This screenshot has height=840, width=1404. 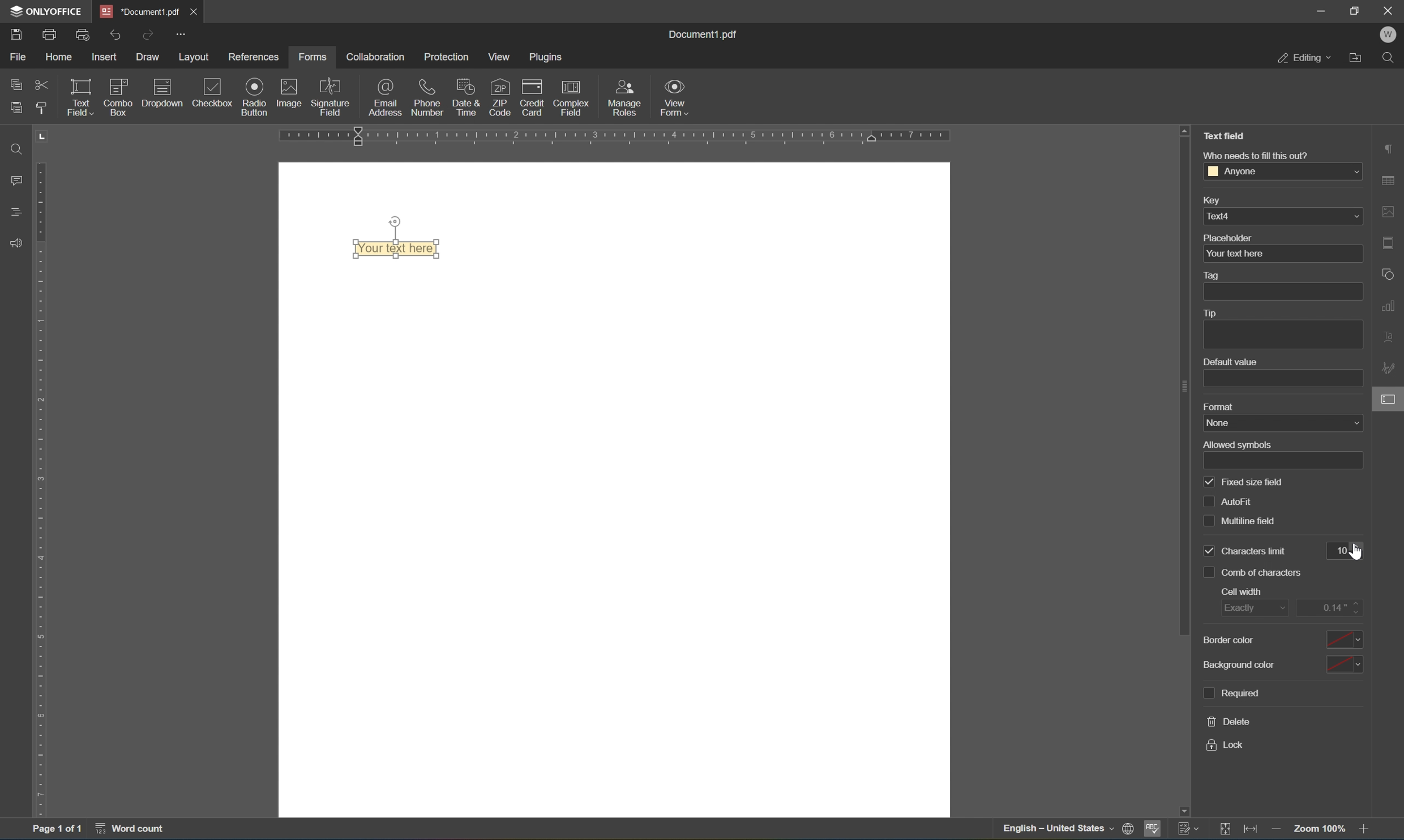 What do you see at coordinates (1392, 243) in the screenshot?
I see `header and footer settings` at bounding box center [1392, 243].